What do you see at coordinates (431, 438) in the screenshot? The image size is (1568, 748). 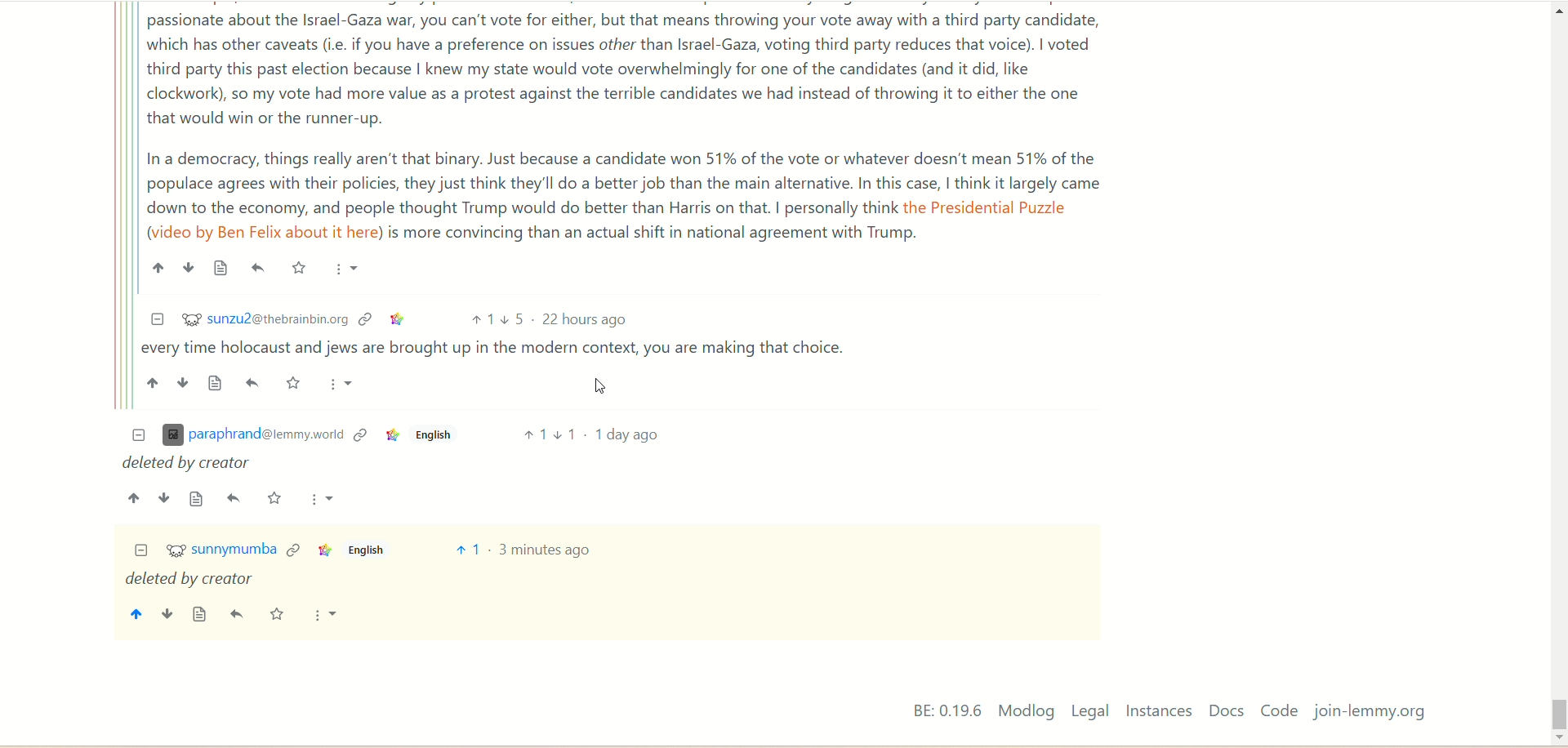 I see `English` at bounding box center [431, 438].